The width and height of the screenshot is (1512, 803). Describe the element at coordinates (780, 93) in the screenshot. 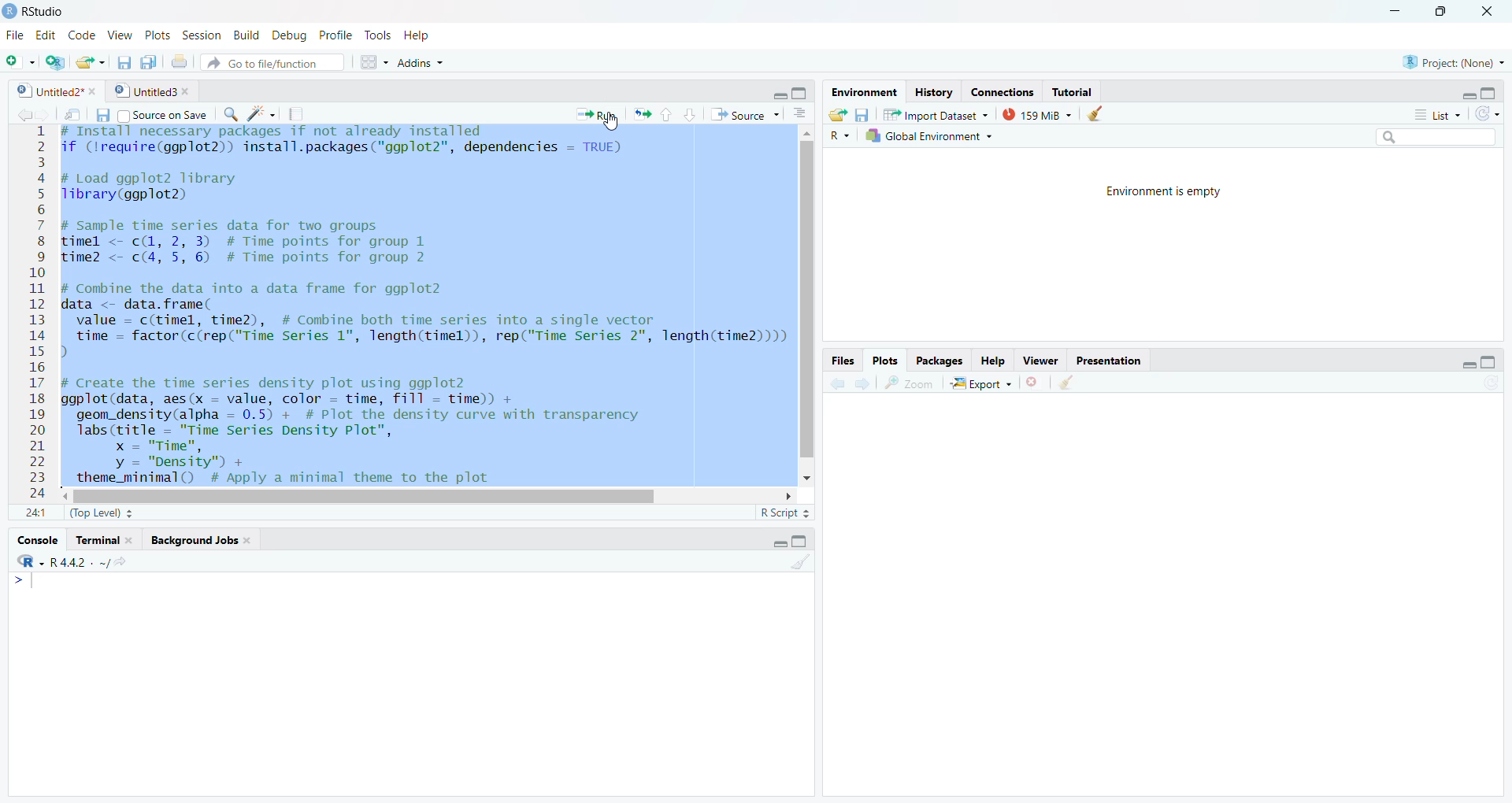

I see `Minimize` at that location.